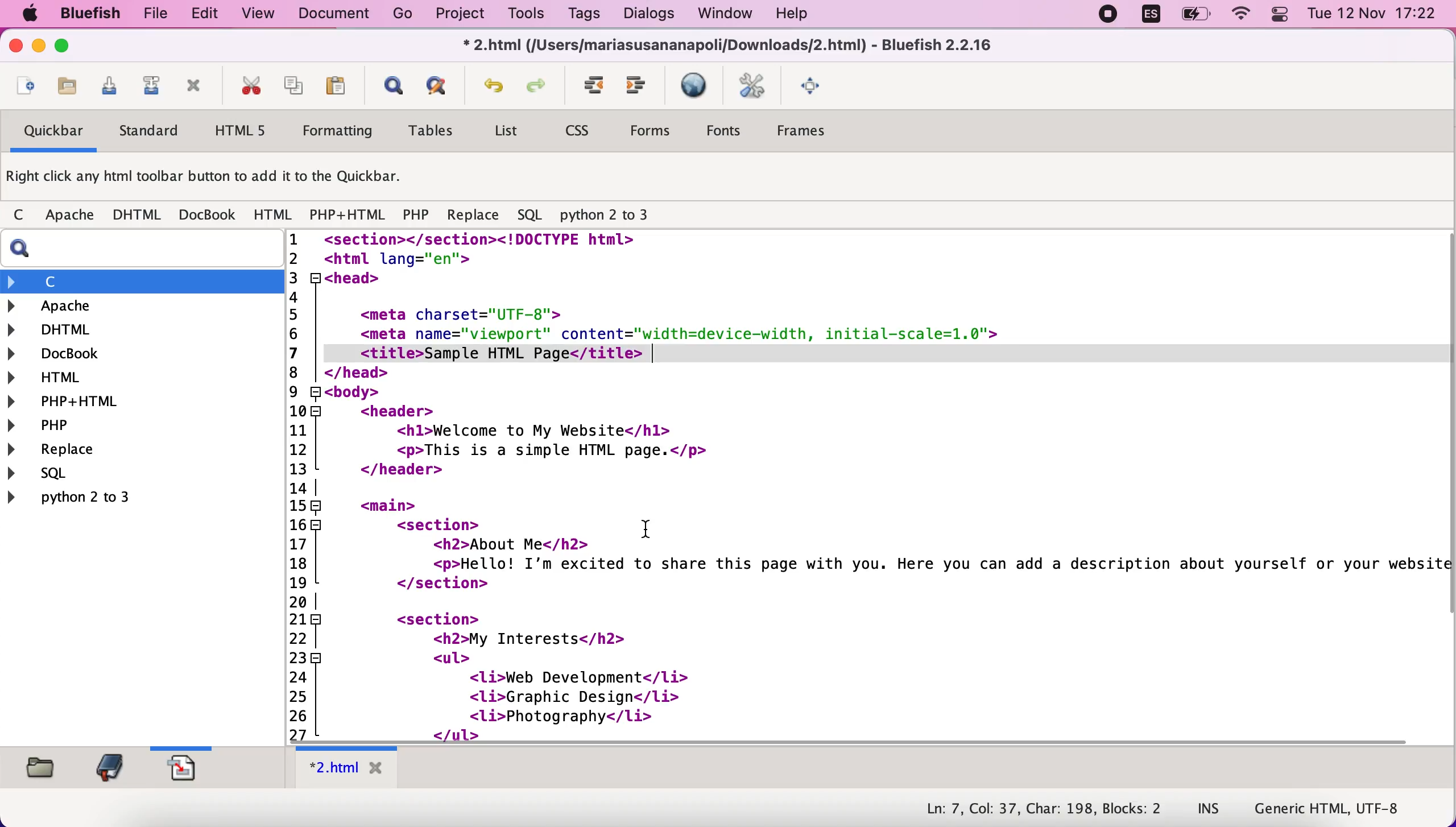 This screenshot has height=827, width=1456. I want to click on close, so click(15, 46).